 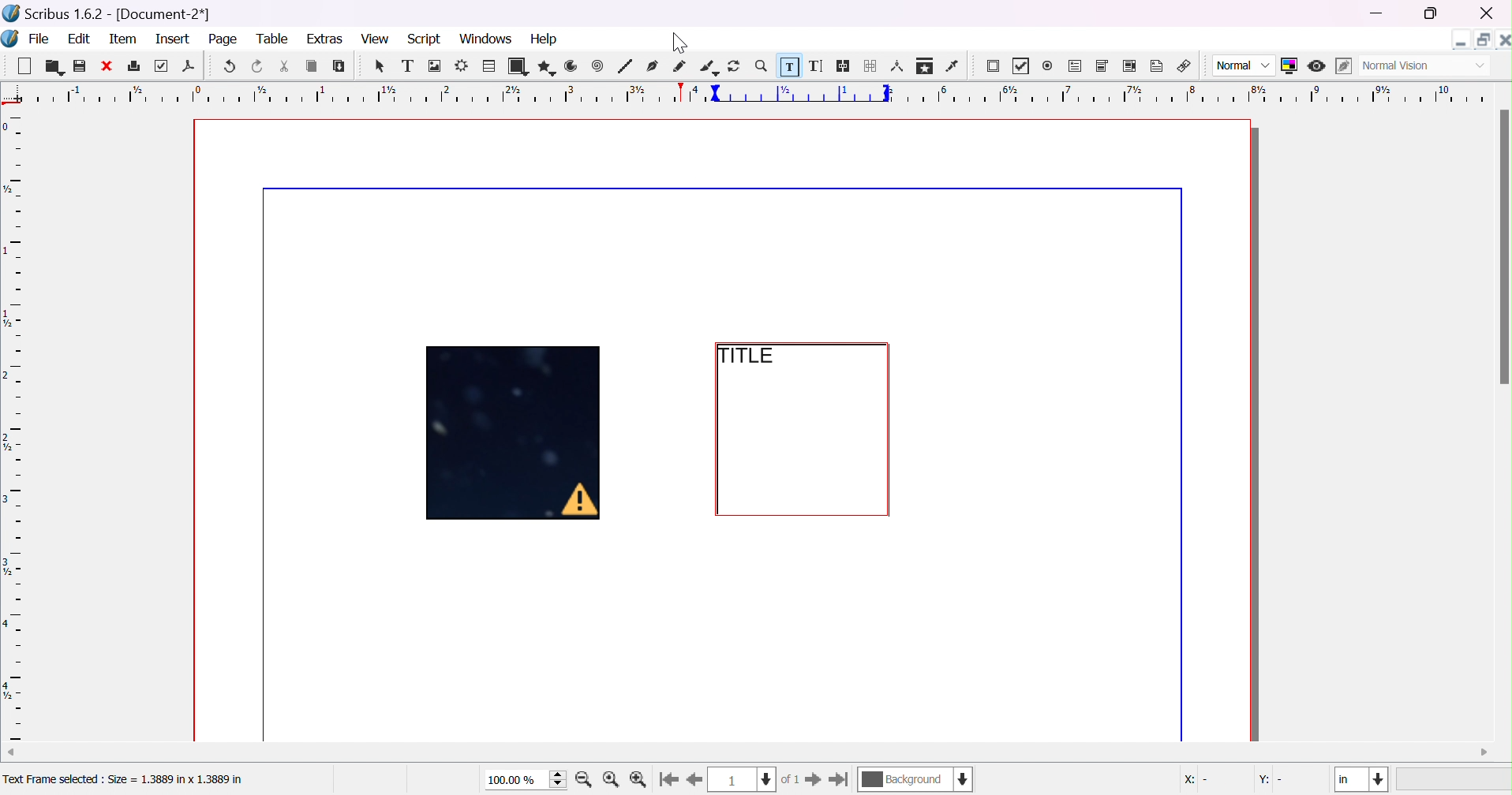 I want to click on in, so click(x=1362, y=780).